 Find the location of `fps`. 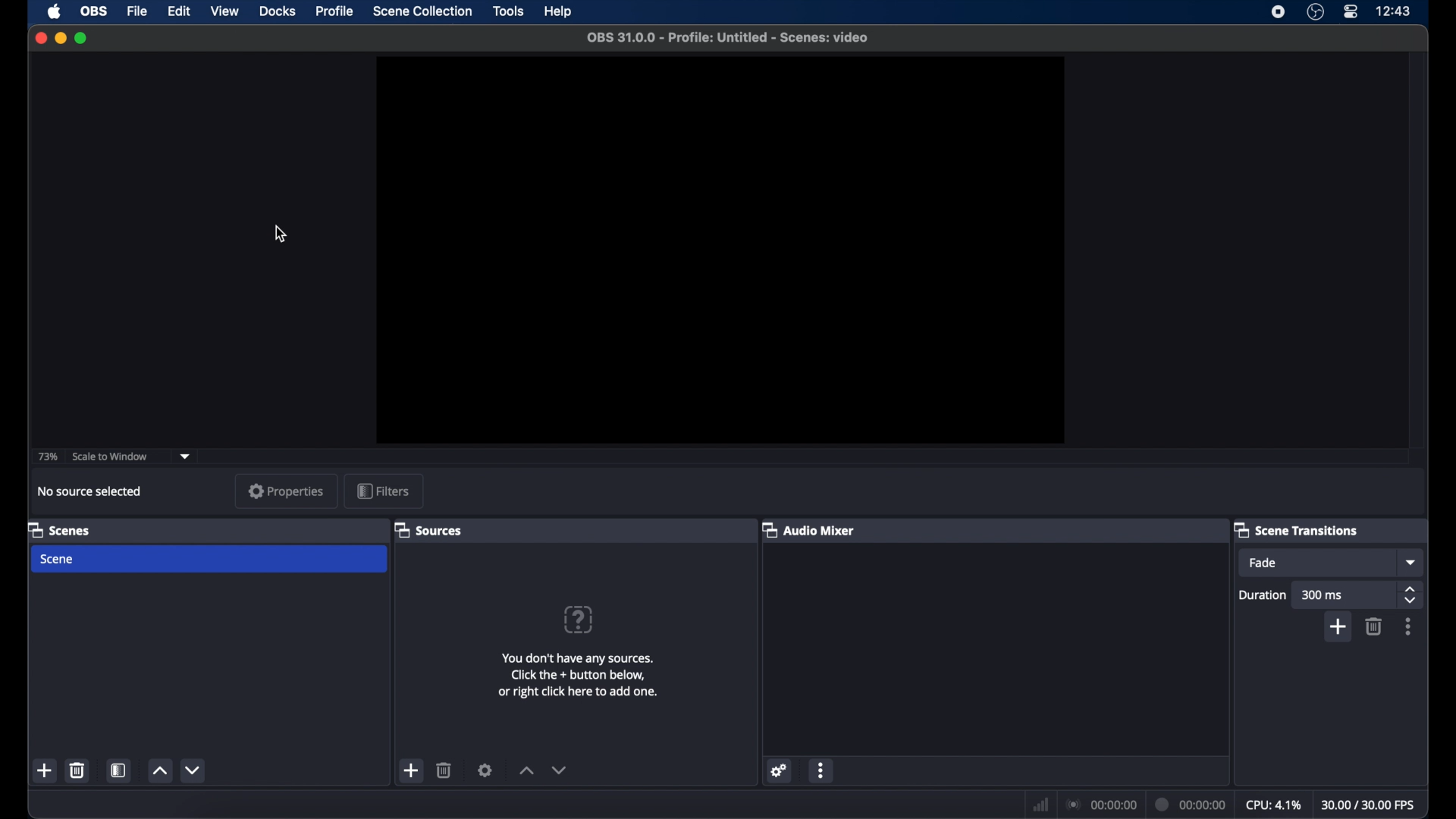

fps is located at coordinates (1369, 805).